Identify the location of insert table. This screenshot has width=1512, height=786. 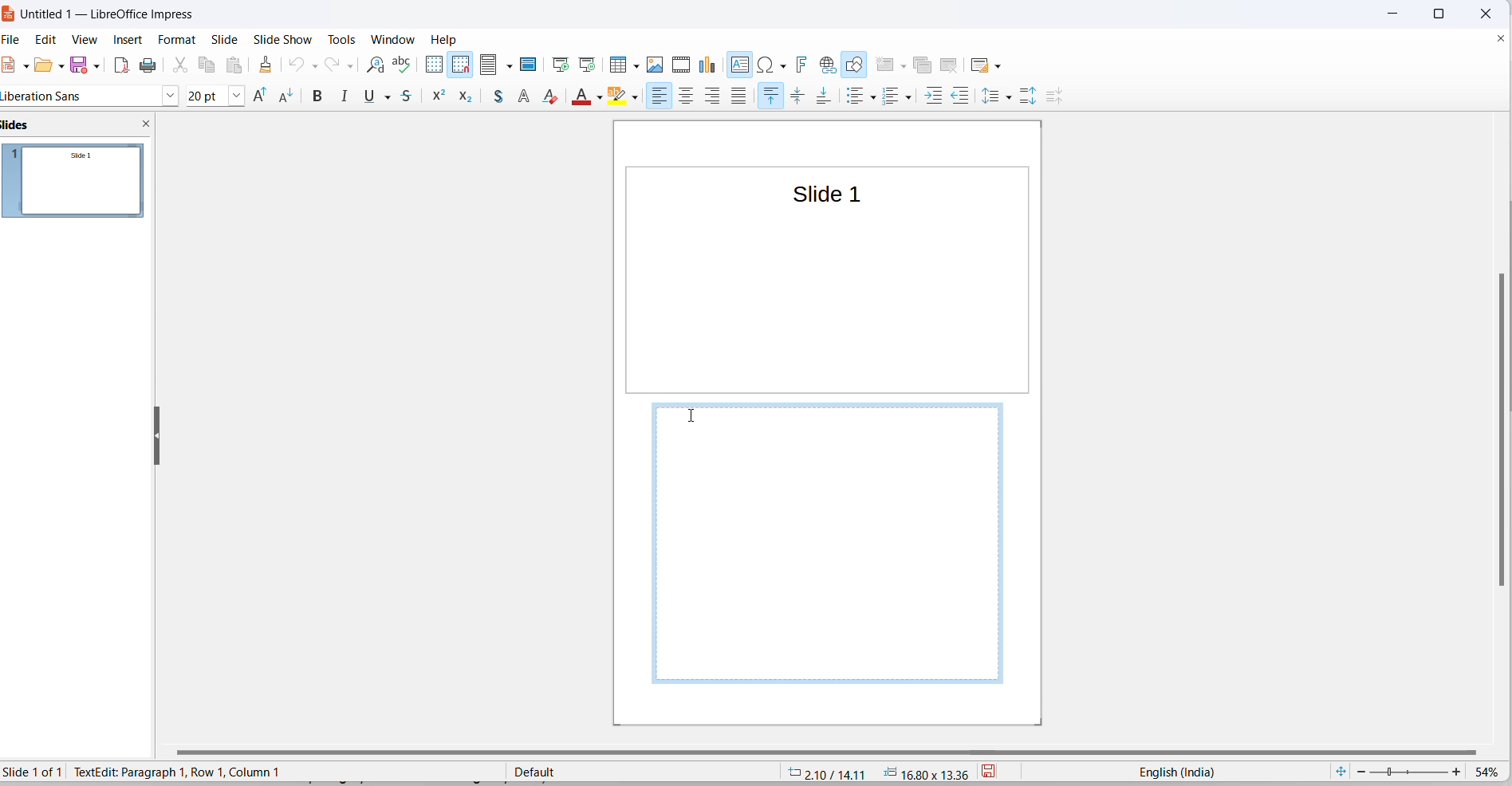
(617, 65).